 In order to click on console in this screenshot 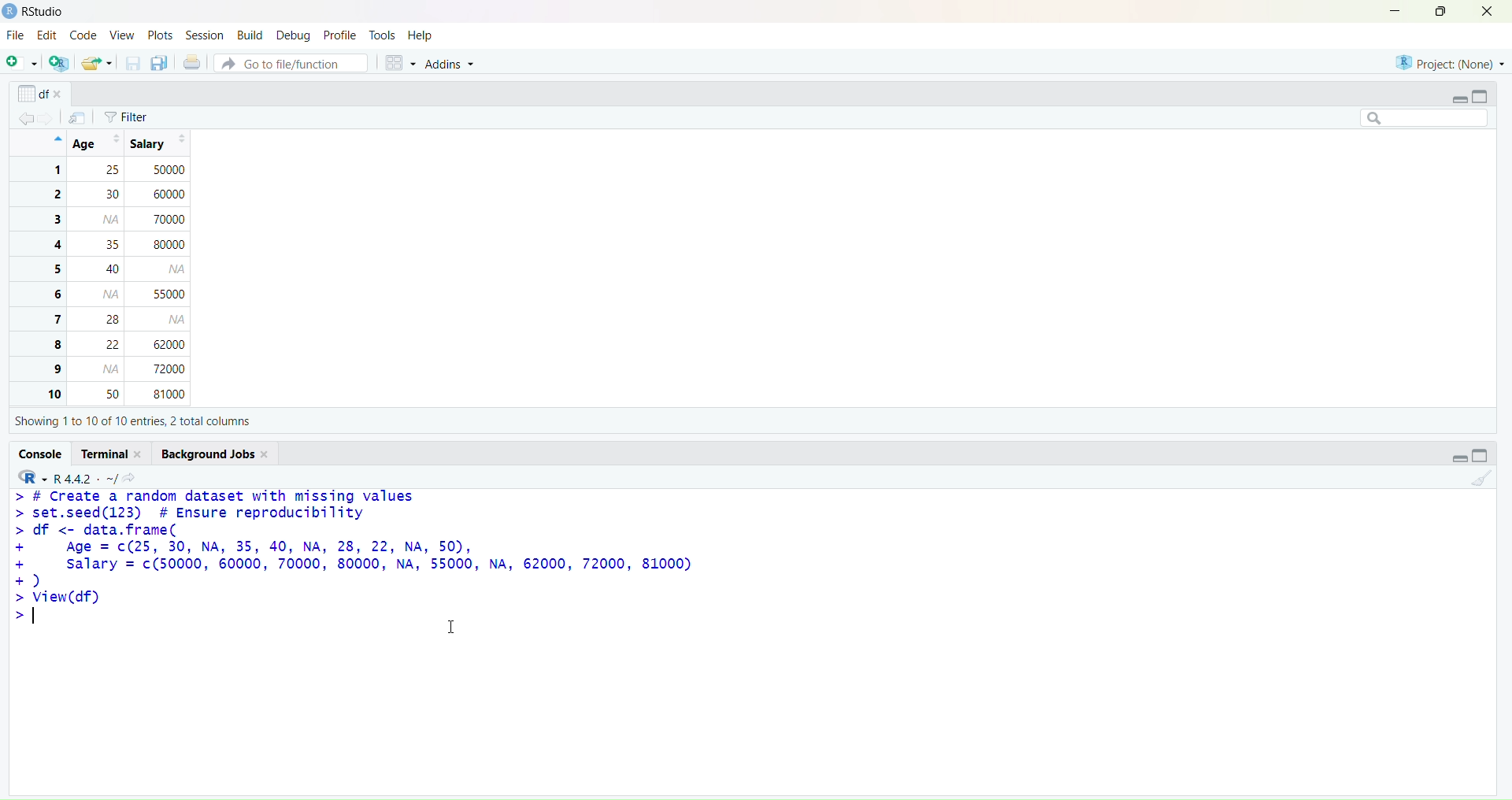, I will do `click(41, 453)`.